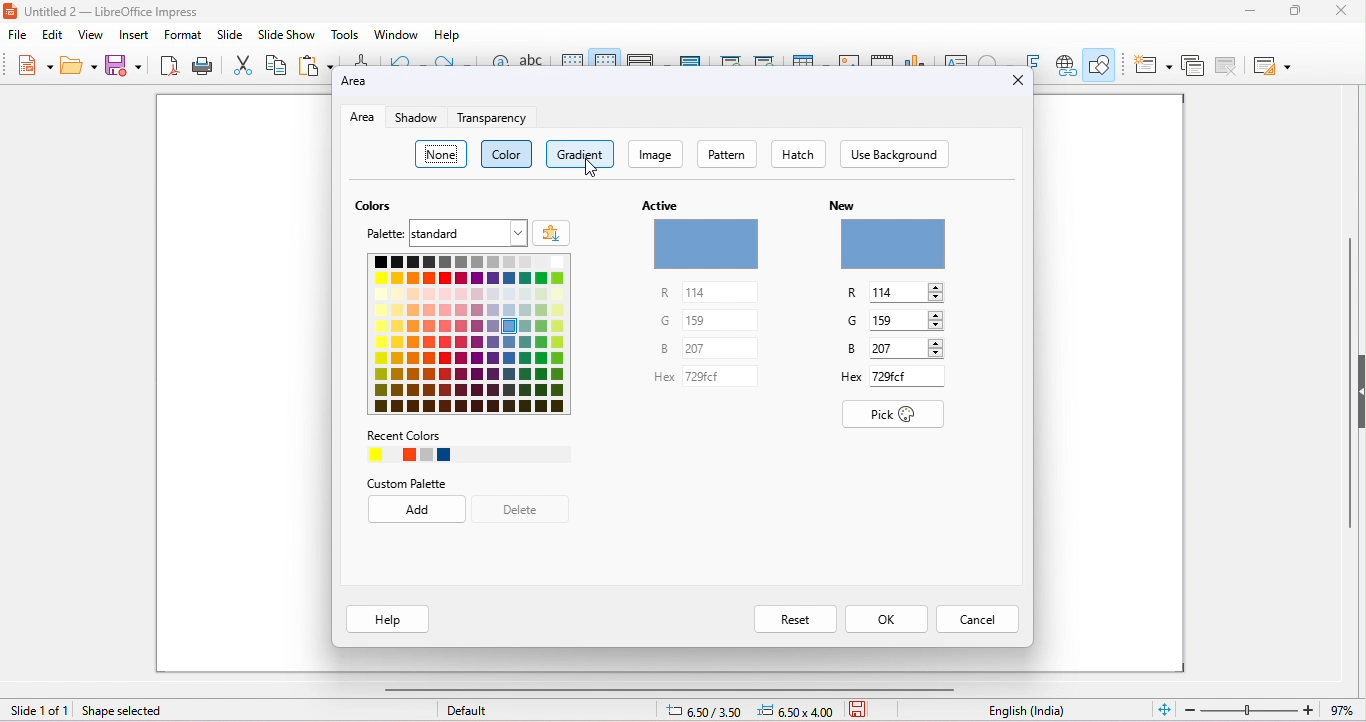  Describe the element at coordinates (797, 154) in the screenshot. I see `hatch` at that location.